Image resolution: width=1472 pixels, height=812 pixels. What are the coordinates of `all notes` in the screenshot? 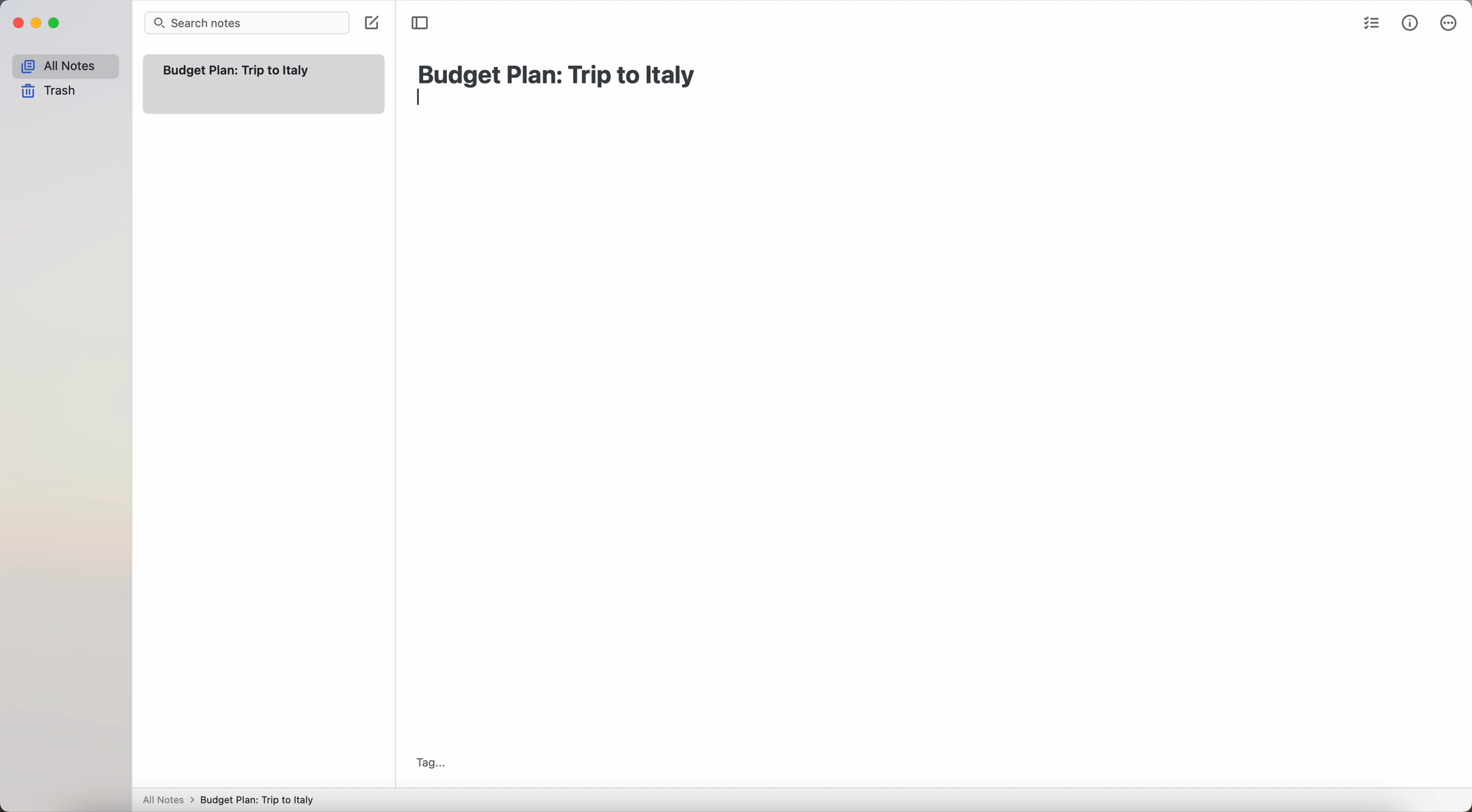 It's located at (65, 66).